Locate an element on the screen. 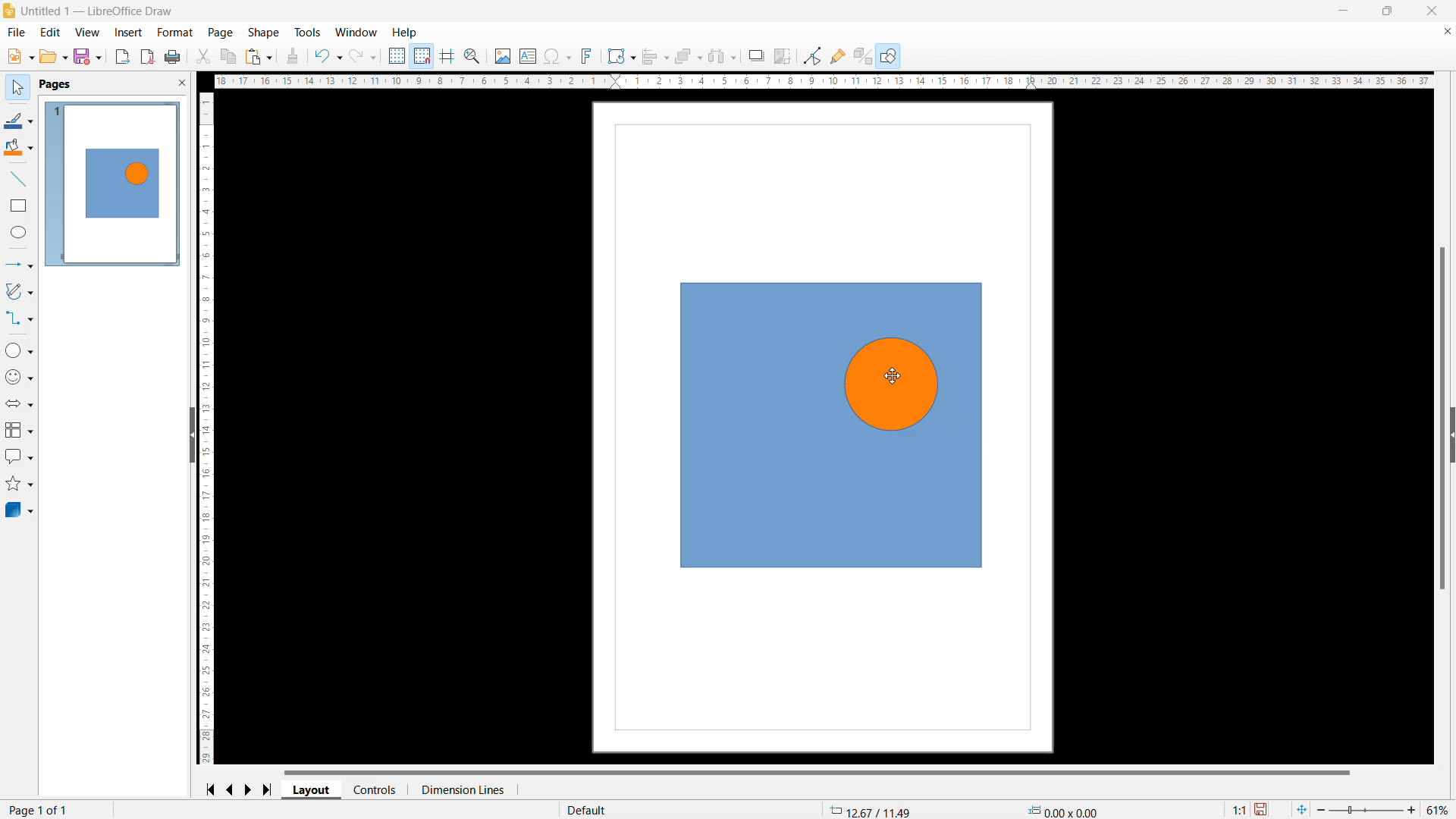 The height and width of the screenshot is (819, 1456). layout is located at coordinates (311, 790).